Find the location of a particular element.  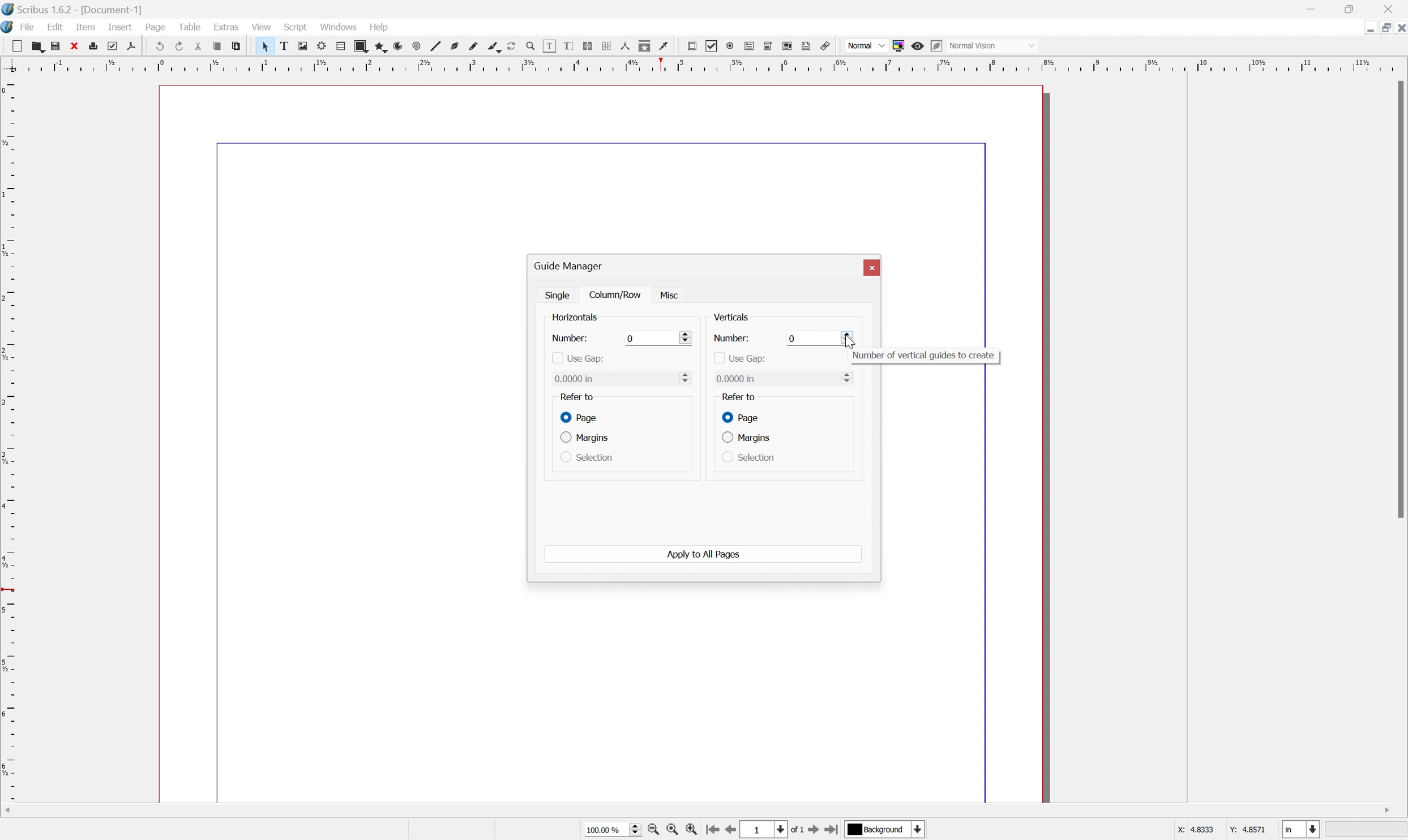

open is located at coordinates (40, 48).